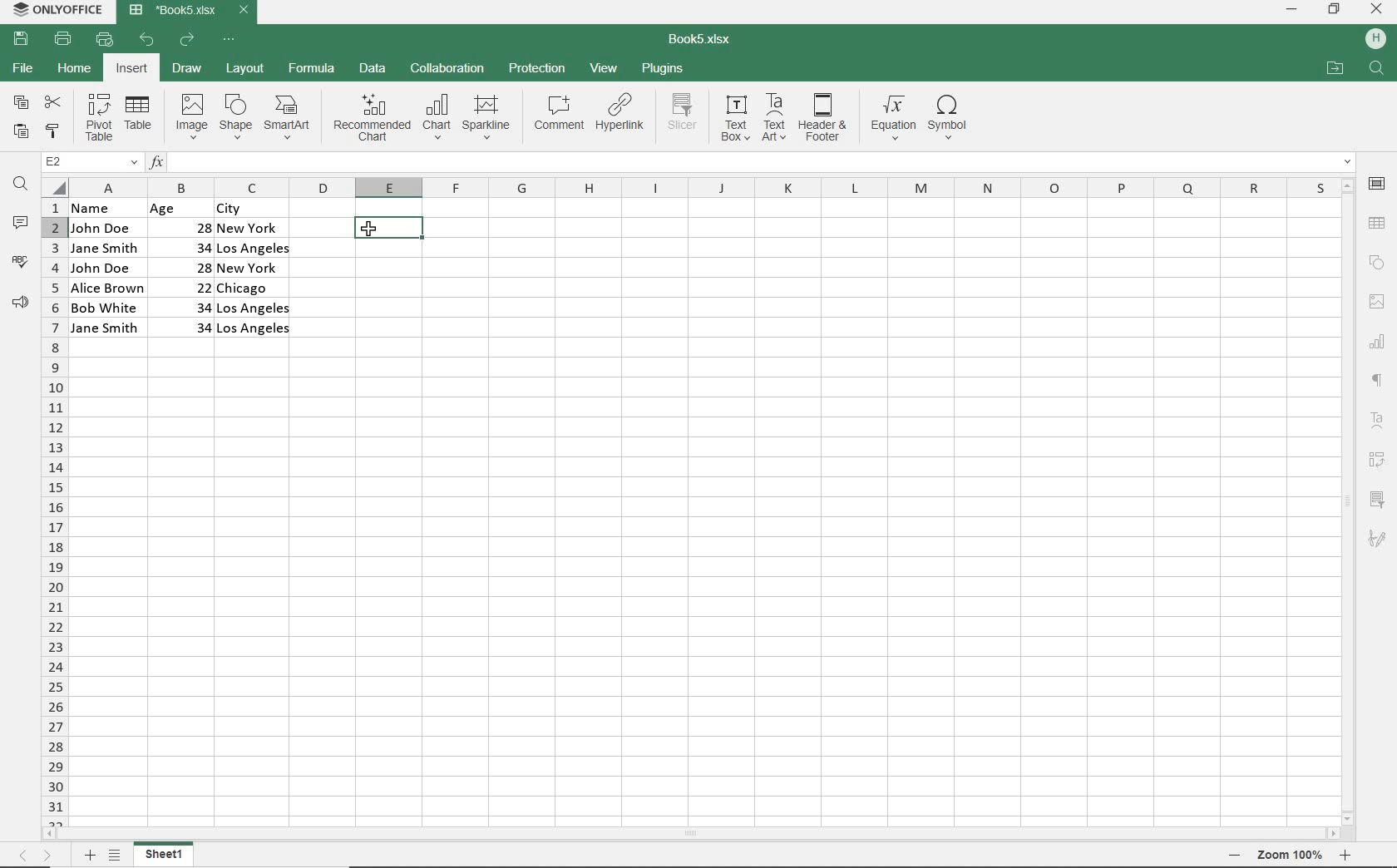 The image size is (1397, 868). Describe the element at coordinates (165, 856) in the screenshot. I see `SHEET1` at that location.